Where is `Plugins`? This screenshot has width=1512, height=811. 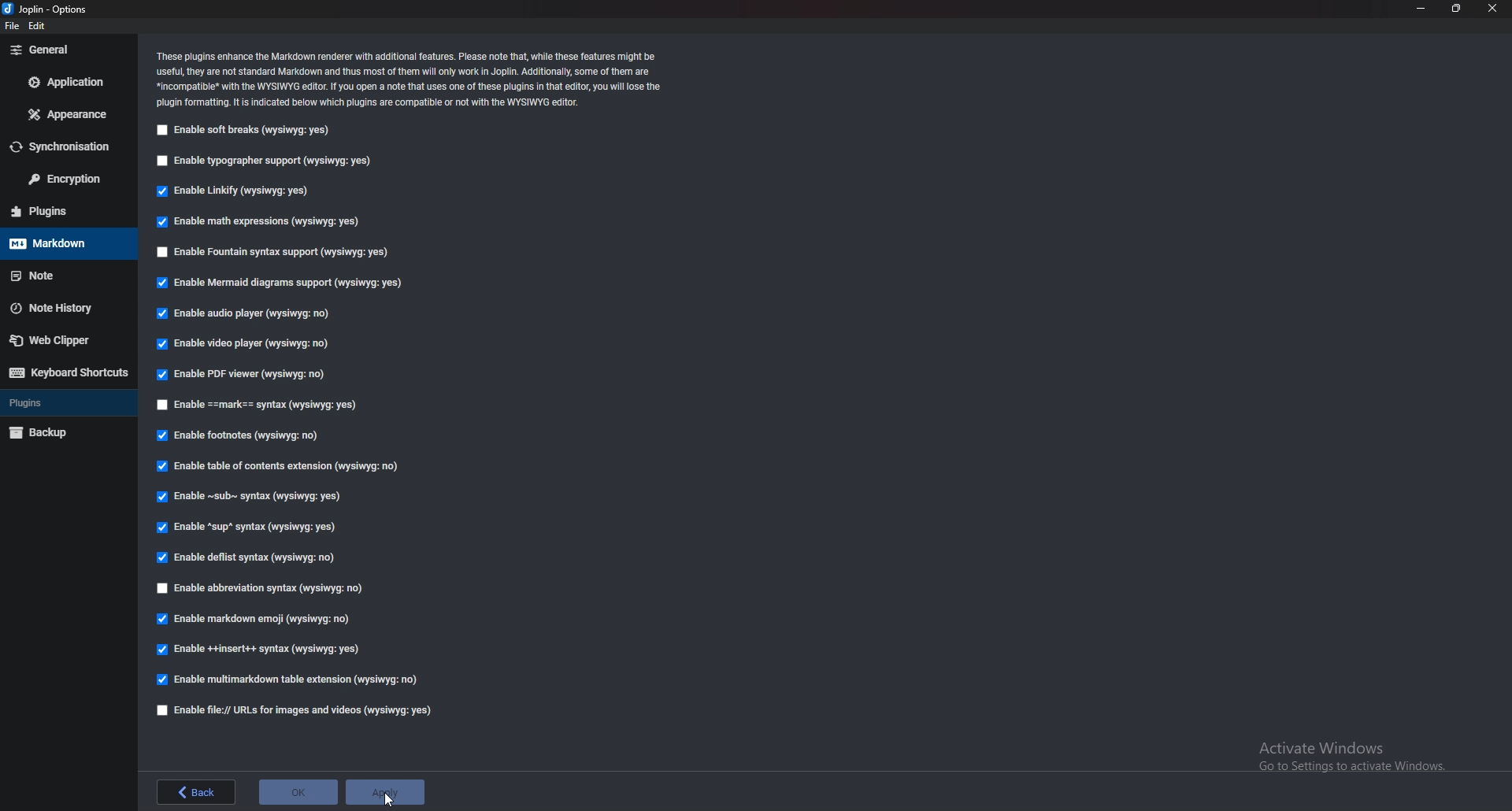 Plugins is located at coordinates (62, 211).